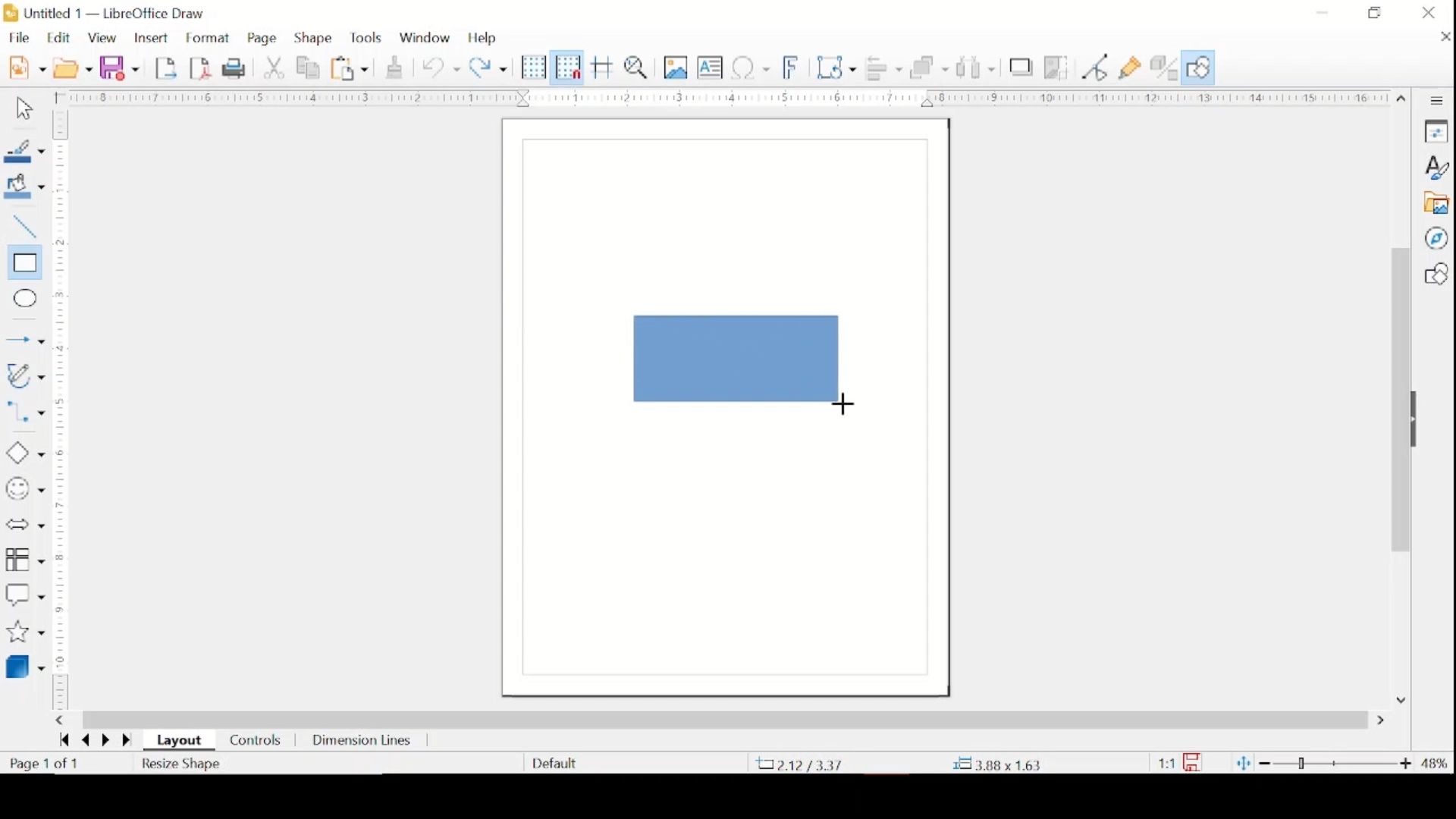  Describe the element at coordinates (441, 68) in the screenshot. I see `undo` at that location.